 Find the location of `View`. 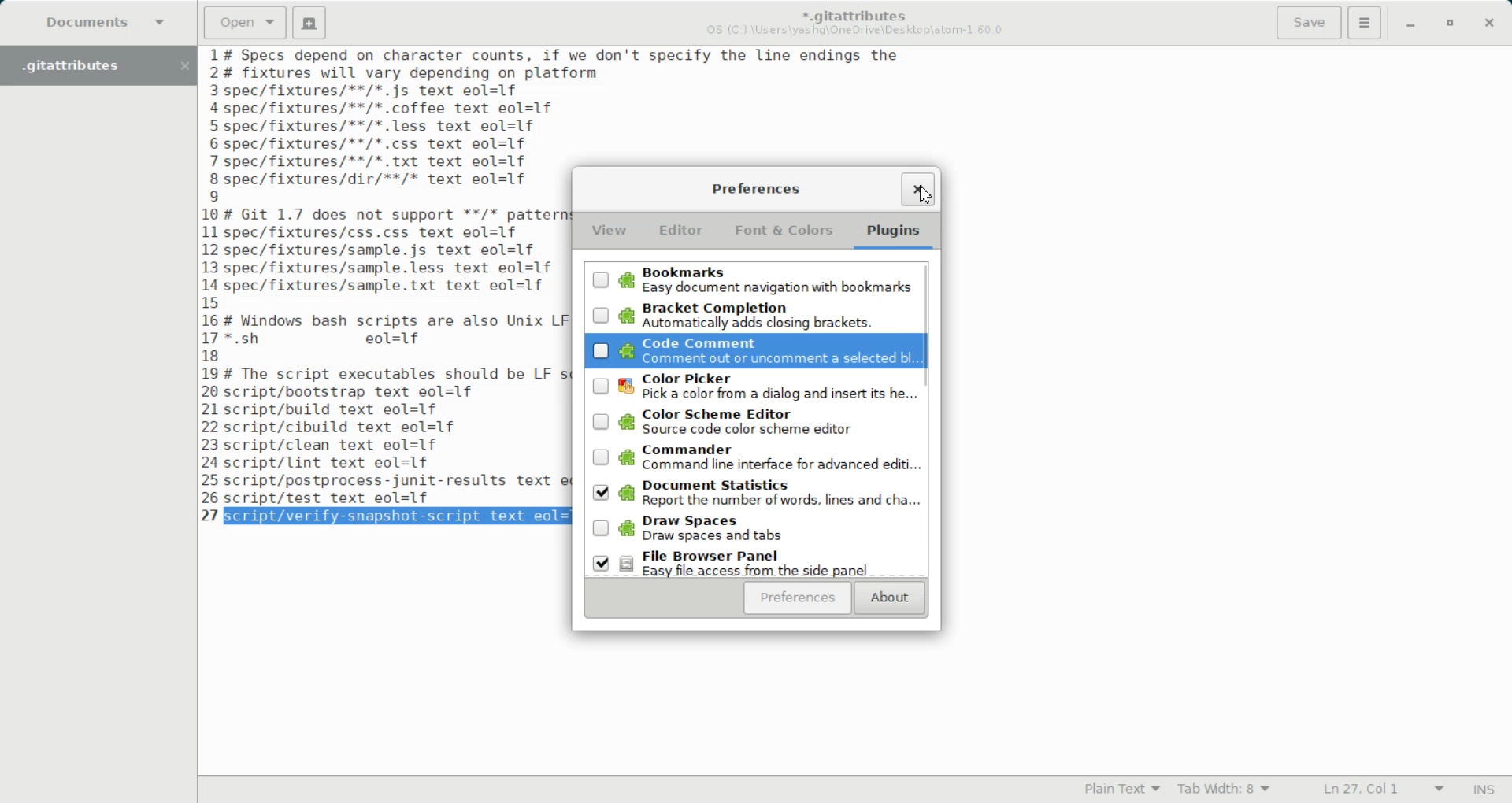

View is located at coordinates (610, 232).